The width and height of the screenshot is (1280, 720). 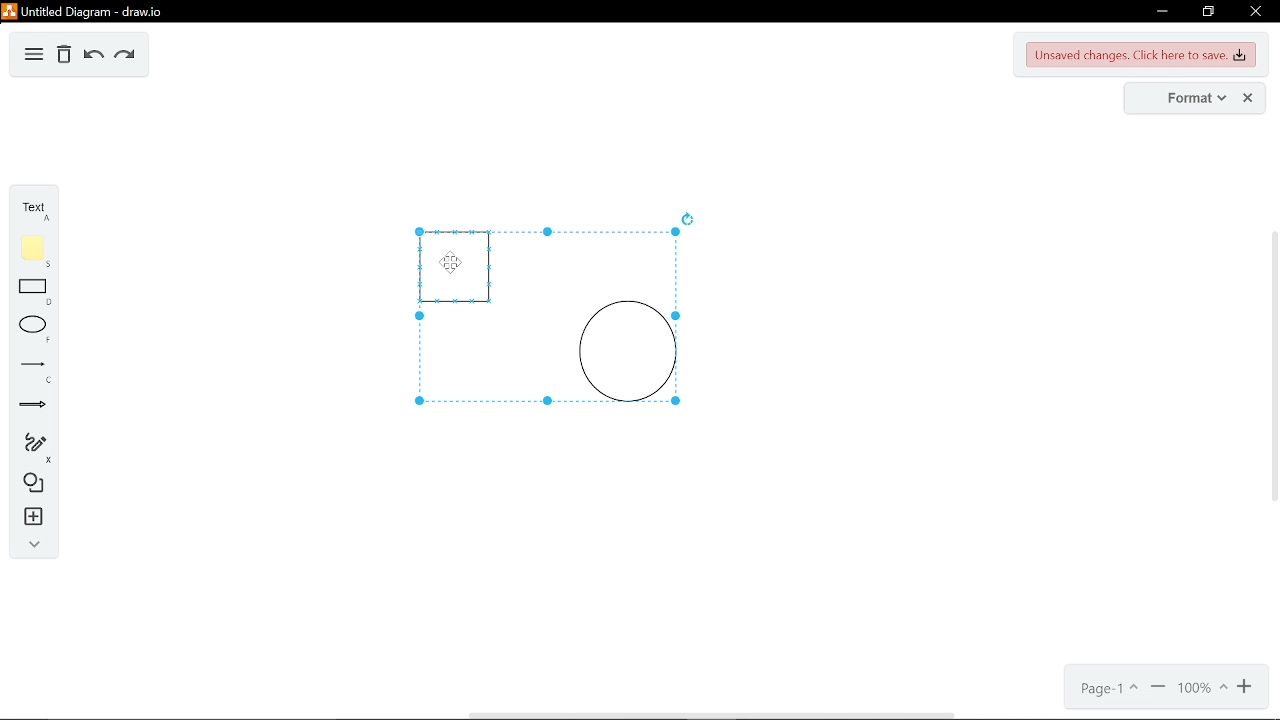 I want to click on minimize, so click(x=1159, y=12).